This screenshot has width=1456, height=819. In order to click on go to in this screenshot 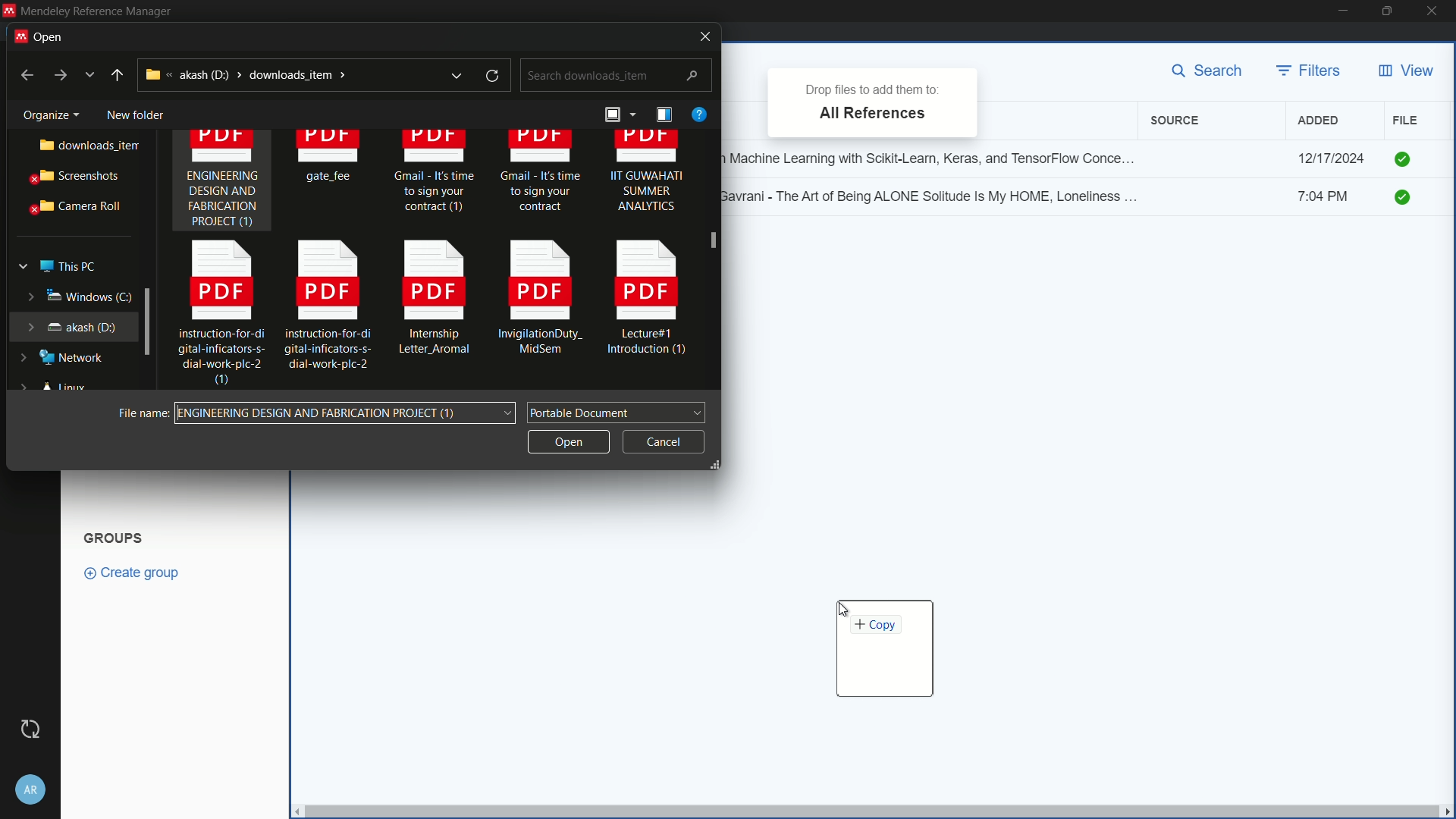, I will do `click(59, 76)`.